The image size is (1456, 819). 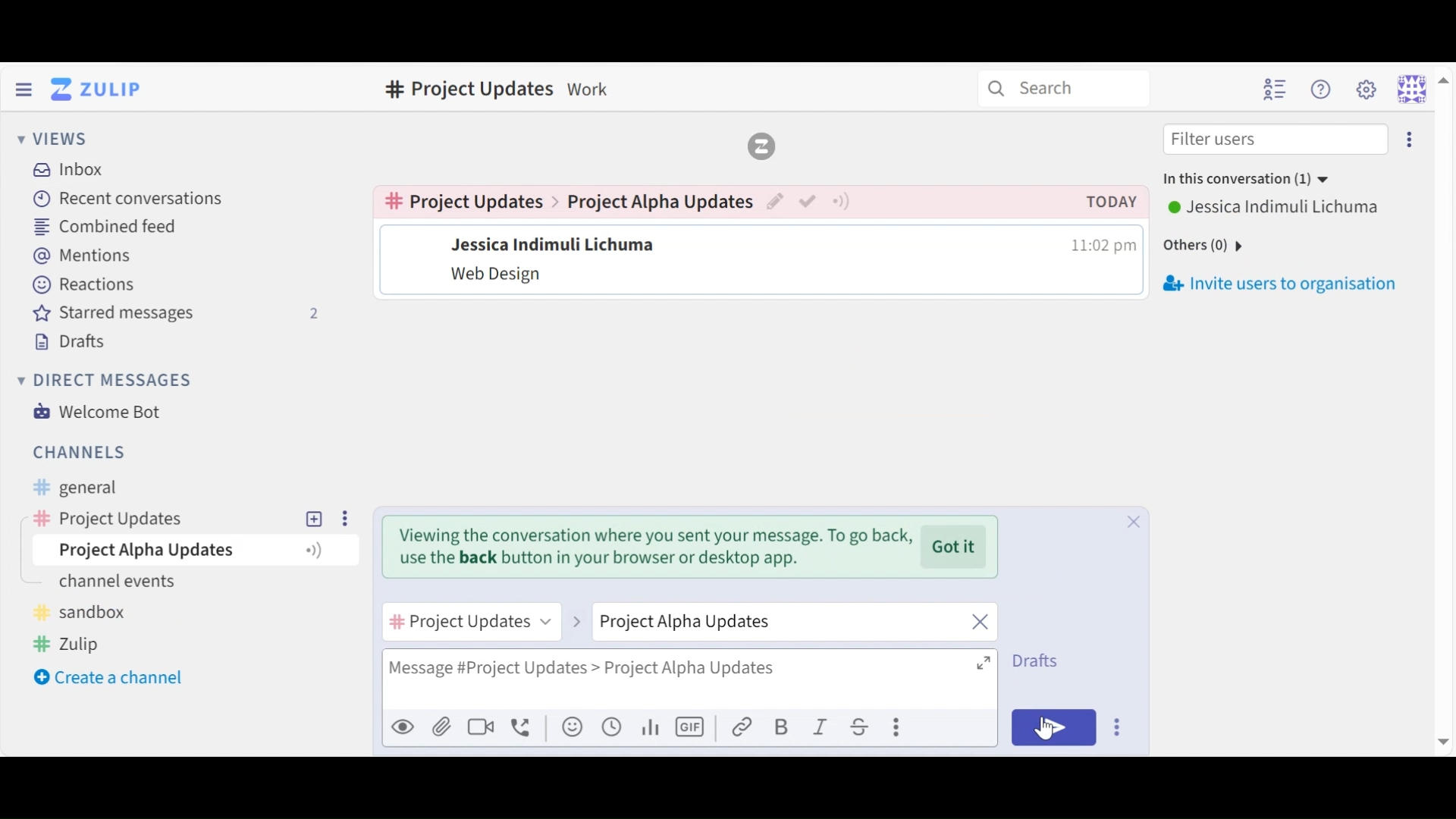 What do you see at coordinates (981, 620) in the screenshot?
I see `close` at bounding box center [981, 620].